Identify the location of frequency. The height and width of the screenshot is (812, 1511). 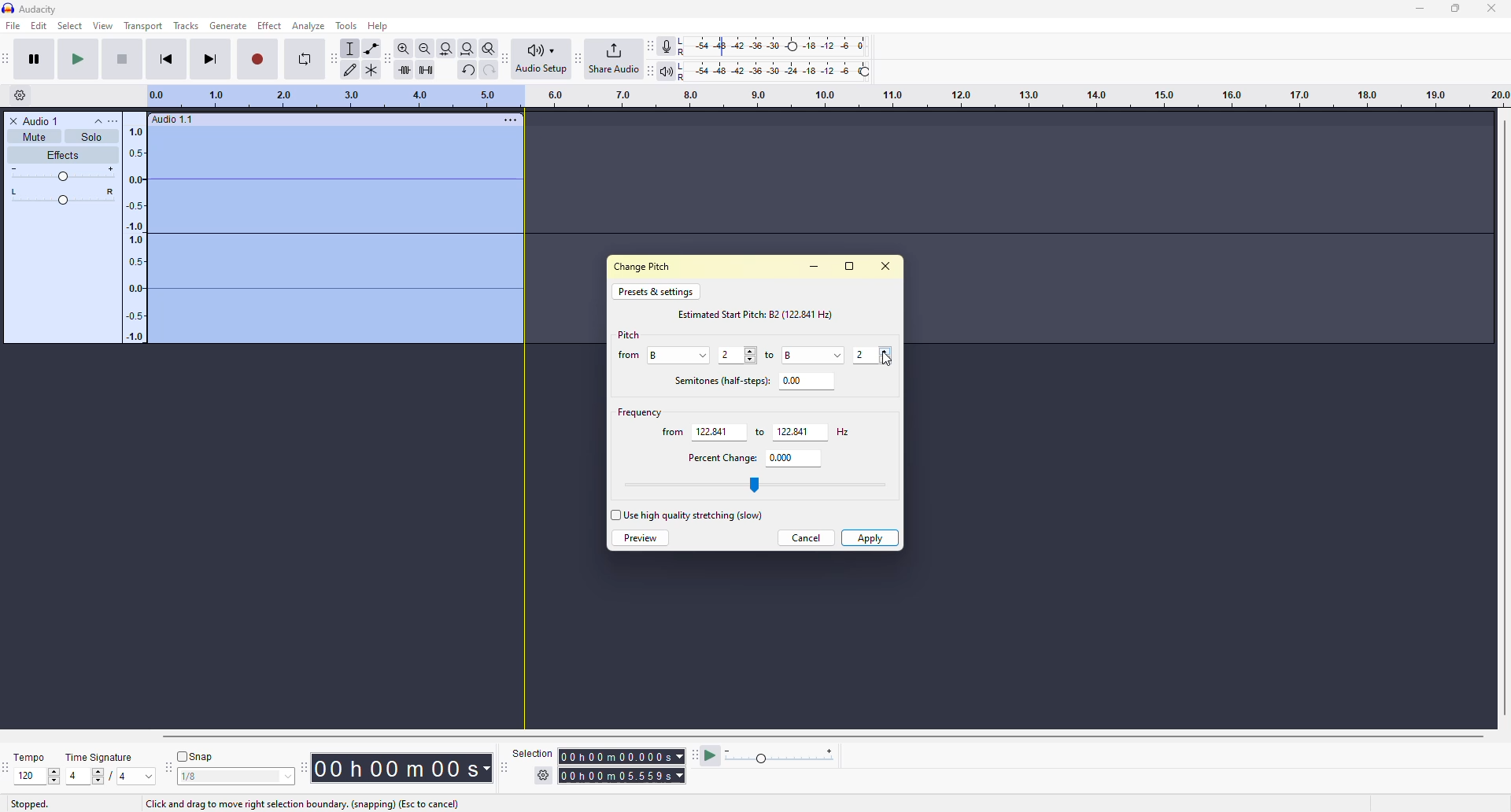
(637, 411).